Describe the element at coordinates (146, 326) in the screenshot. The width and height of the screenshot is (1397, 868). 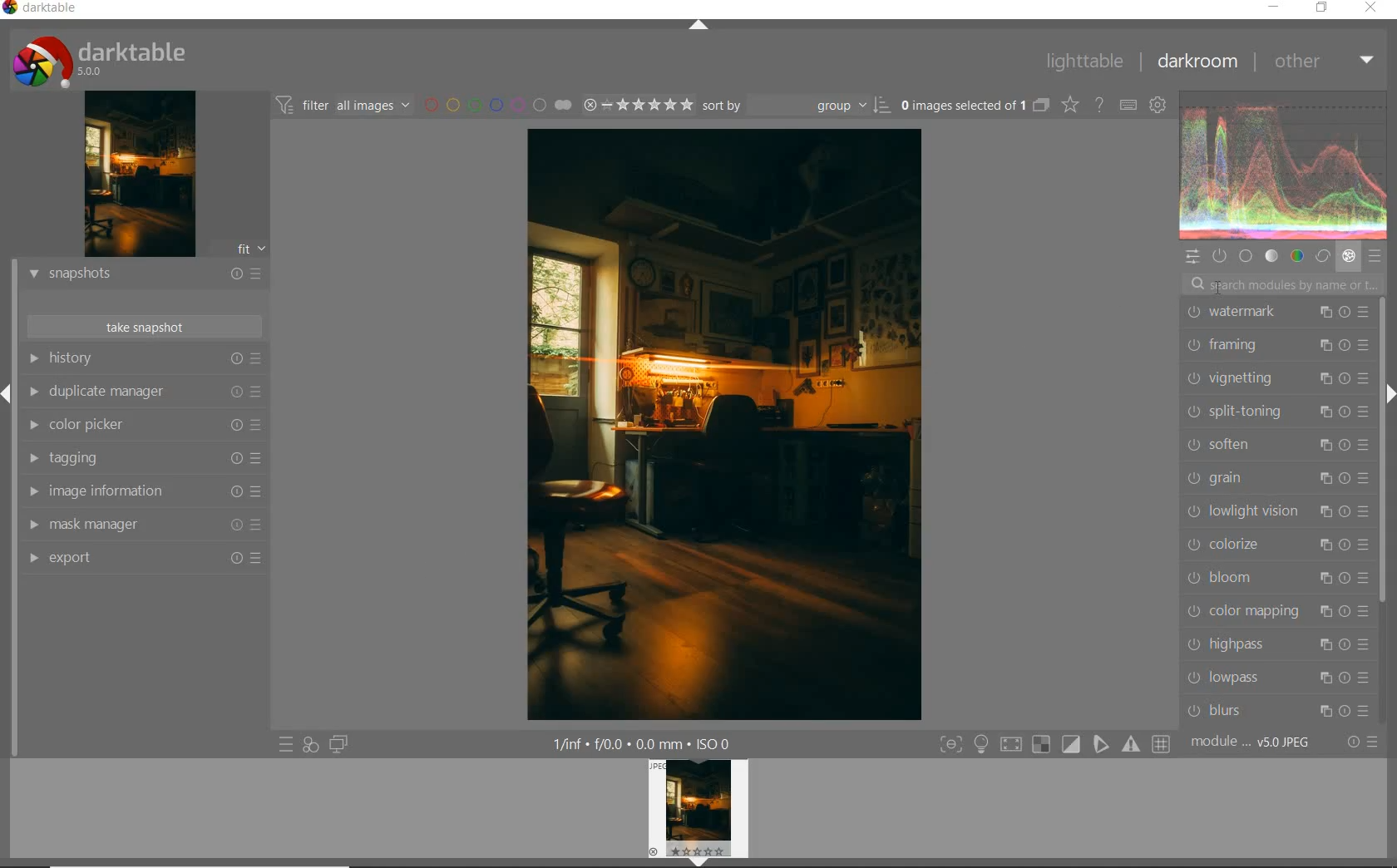
I see `take snapshot` at that location.